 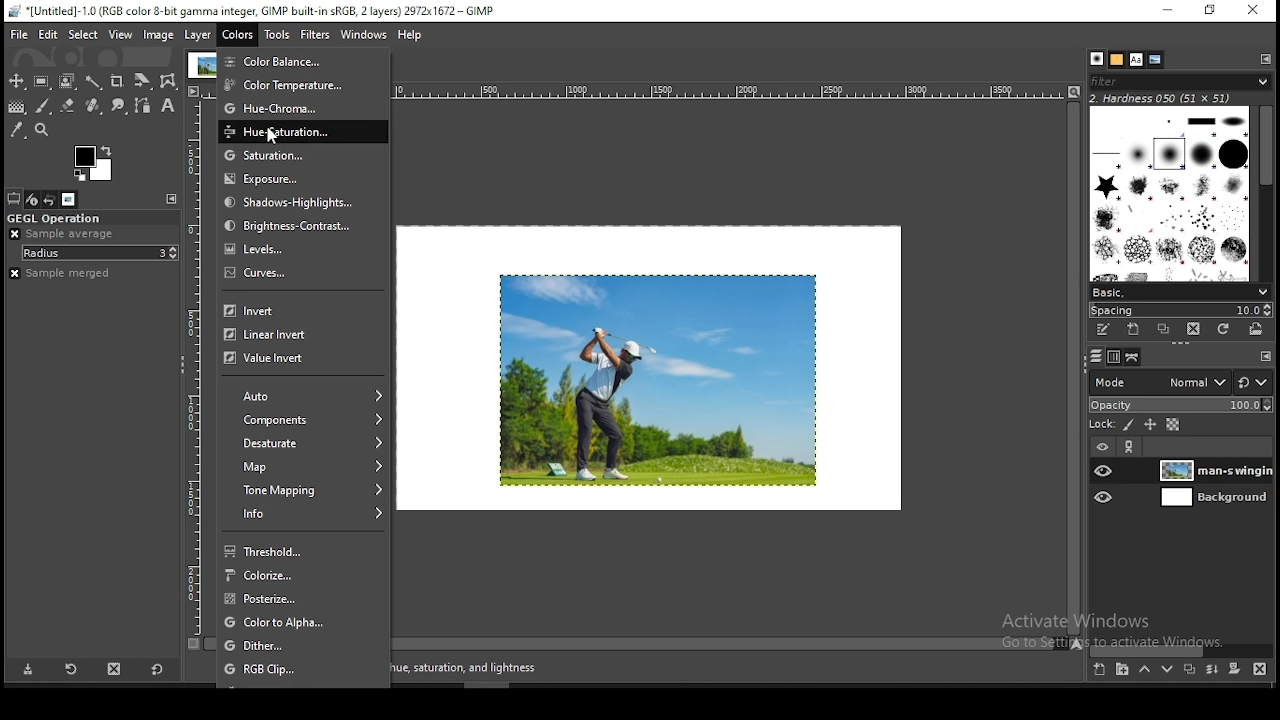 I want to click on image, so click(x=660, y=380).